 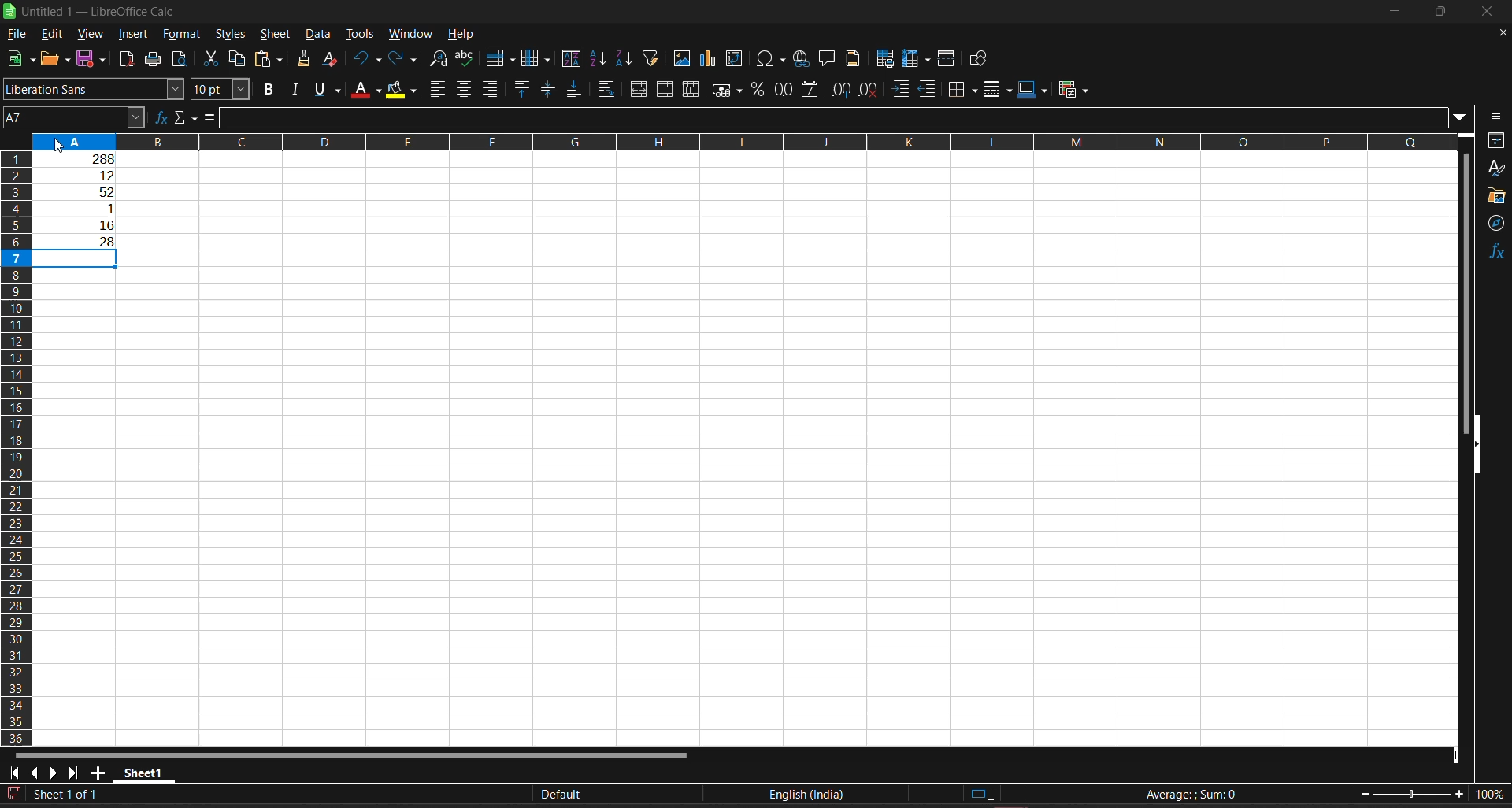 What do you see at coordinates (366, 91) in the screenshot?
I see `font color` at bounding box center [366, 91].